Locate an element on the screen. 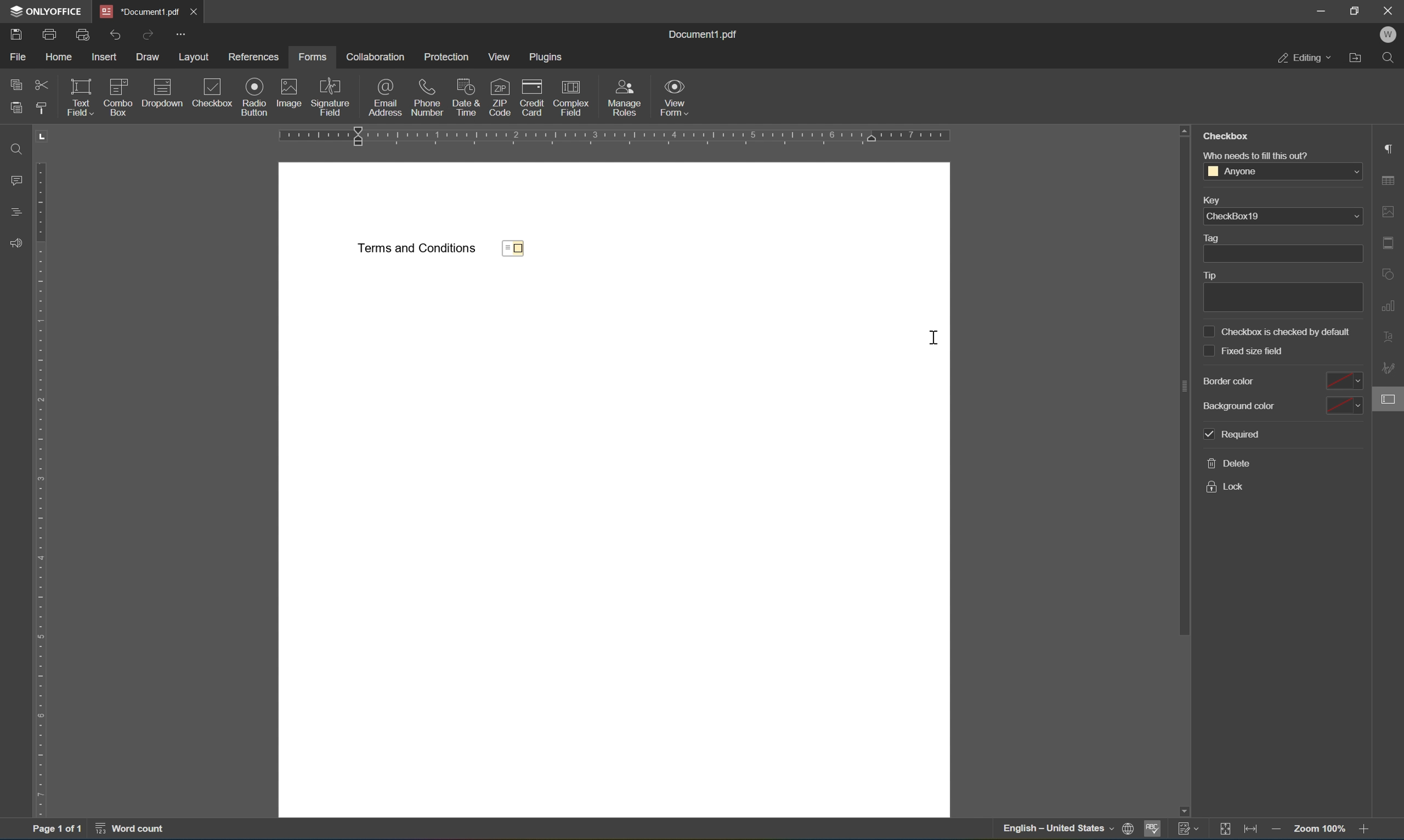 The width and height of the screenshot is (1404, 840). save is located at coordinates (18, 35).